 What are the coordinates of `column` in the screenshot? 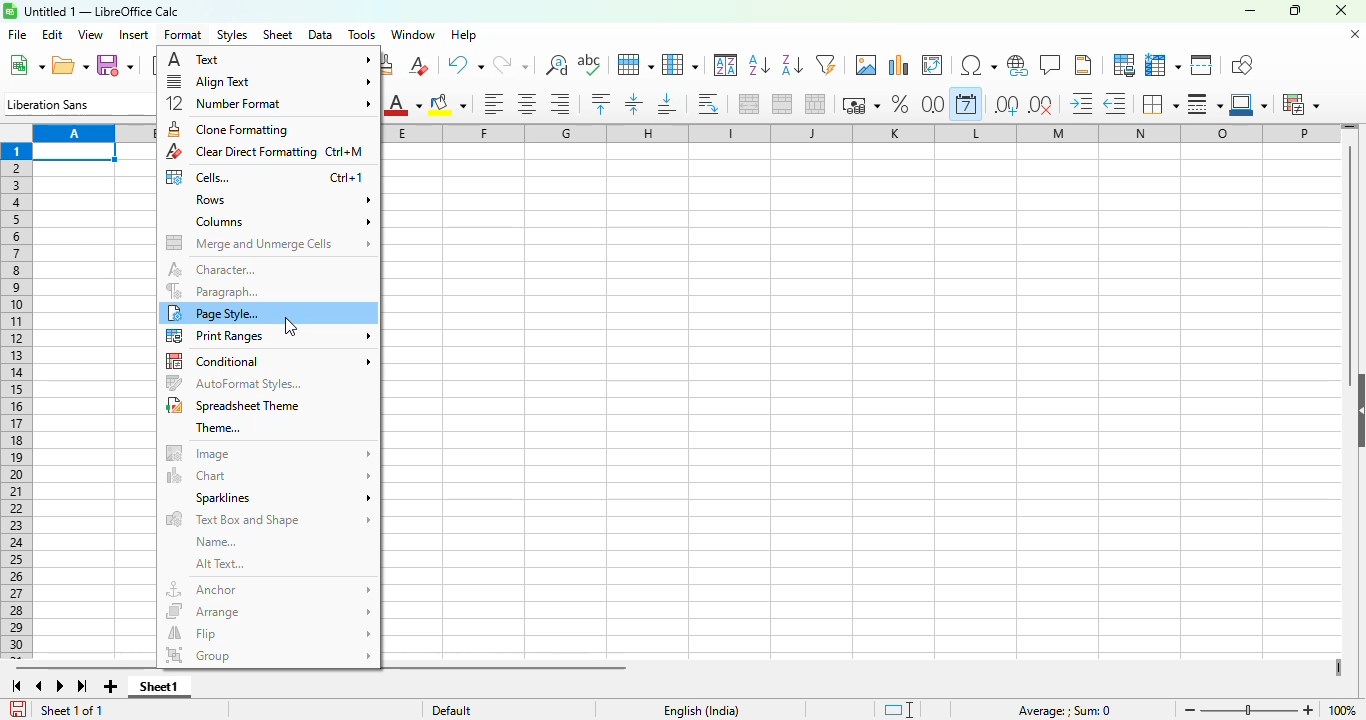 It's located at (680, 65).